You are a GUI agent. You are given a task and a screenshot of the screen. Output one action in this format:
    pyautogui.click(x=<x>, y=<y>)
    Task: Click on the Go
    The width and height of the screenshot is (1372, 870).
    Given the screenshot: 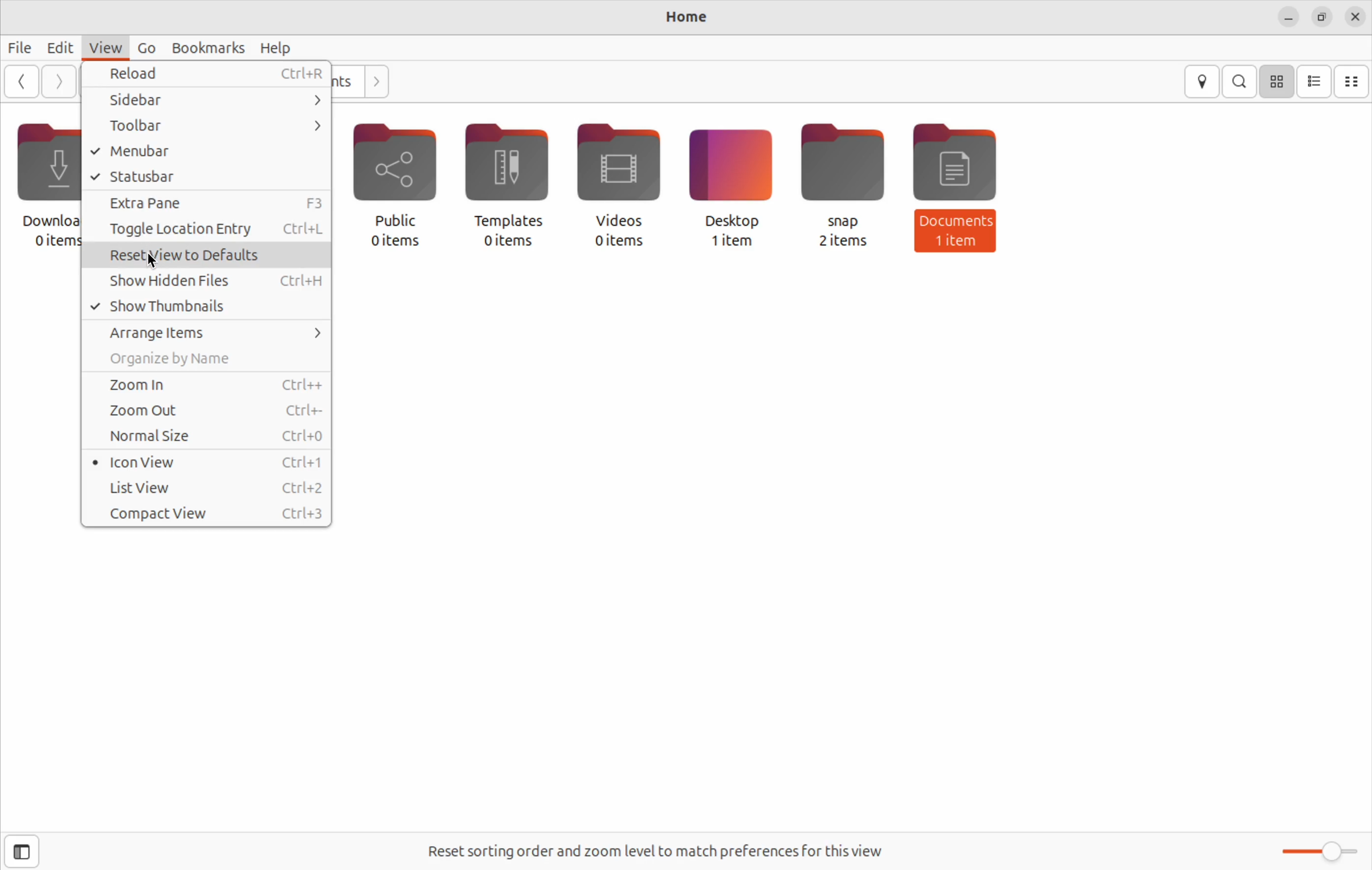 What is the action you would take?
    pyautogui.click(x=150, y=46)
    